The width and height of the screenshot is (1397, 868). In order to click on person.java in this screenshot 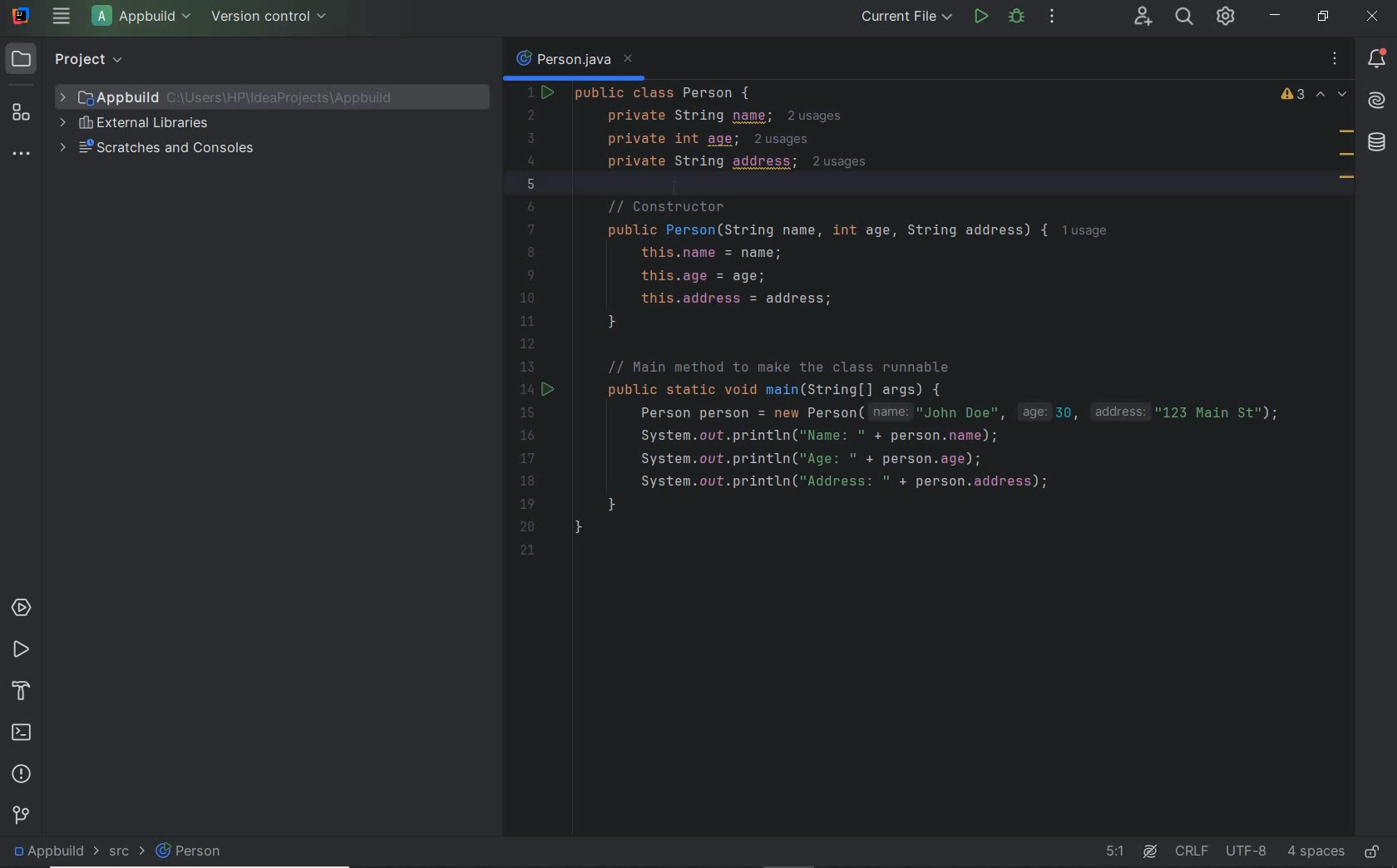, I will do `click(573, 60)`.